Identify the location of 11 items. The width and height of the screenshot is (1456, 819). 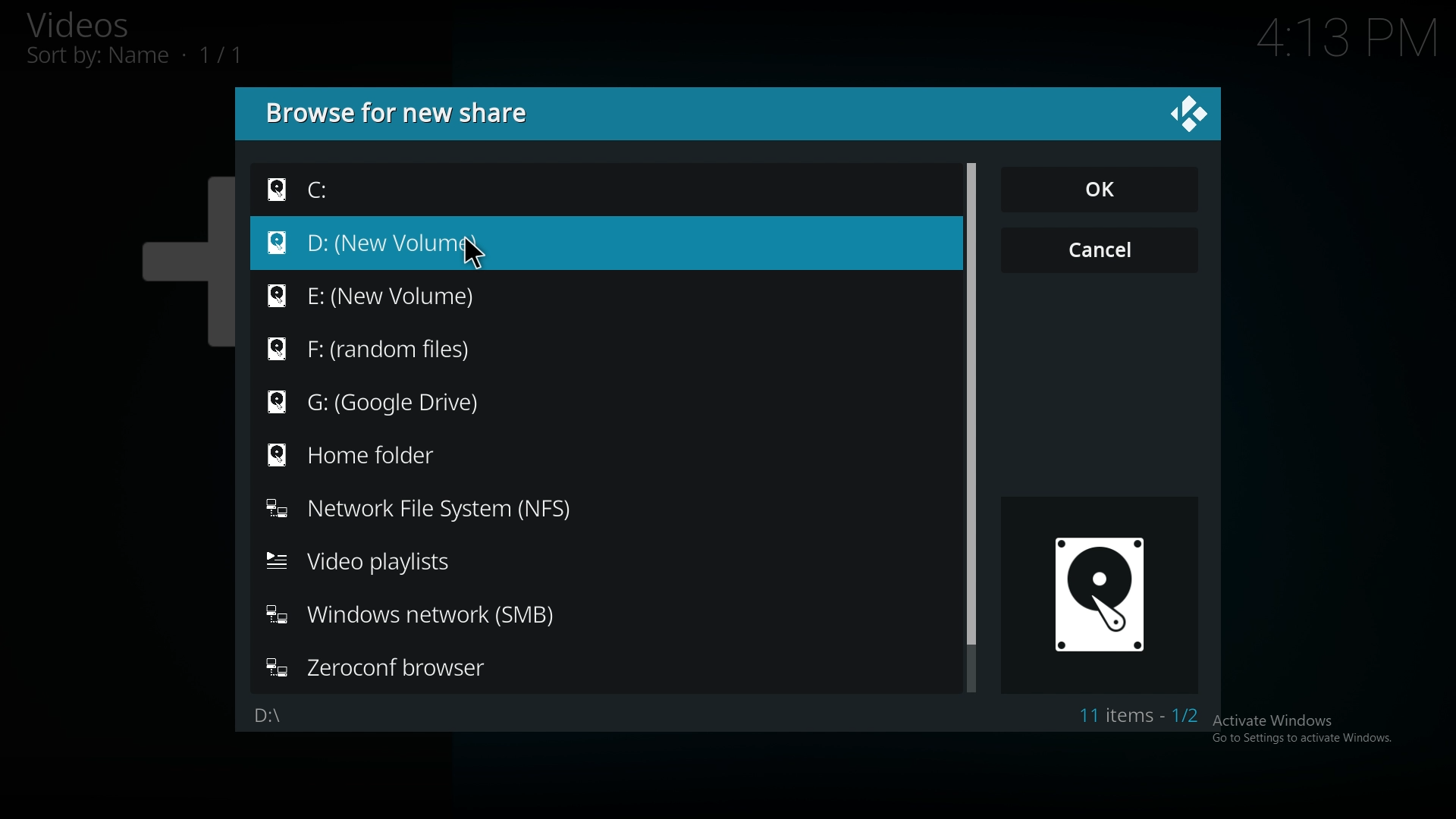
(1144, 716).